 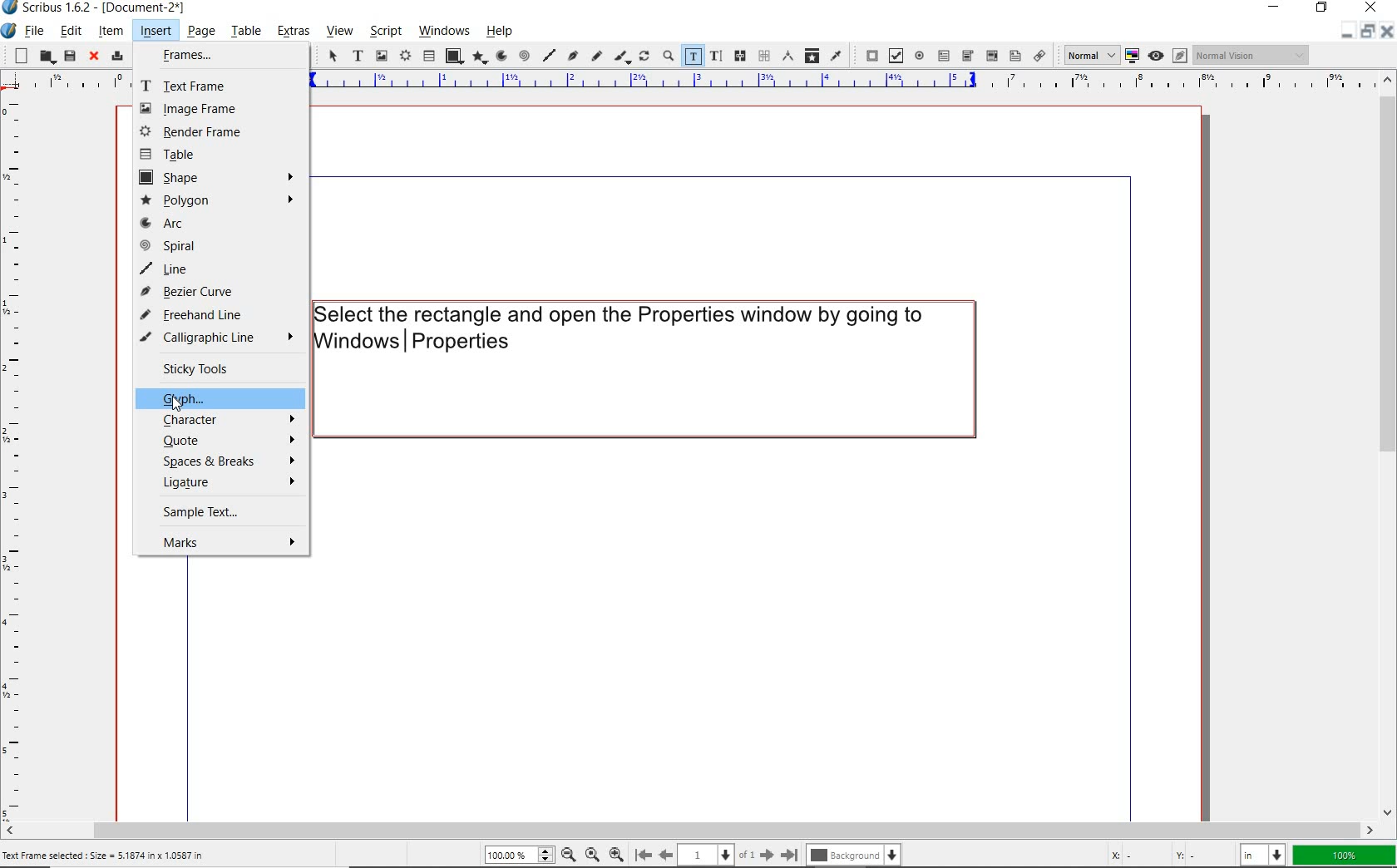 What do you see at coordinates (213, 510) in the screenshot?
I see `sample text` at bounding box center [213, 510].